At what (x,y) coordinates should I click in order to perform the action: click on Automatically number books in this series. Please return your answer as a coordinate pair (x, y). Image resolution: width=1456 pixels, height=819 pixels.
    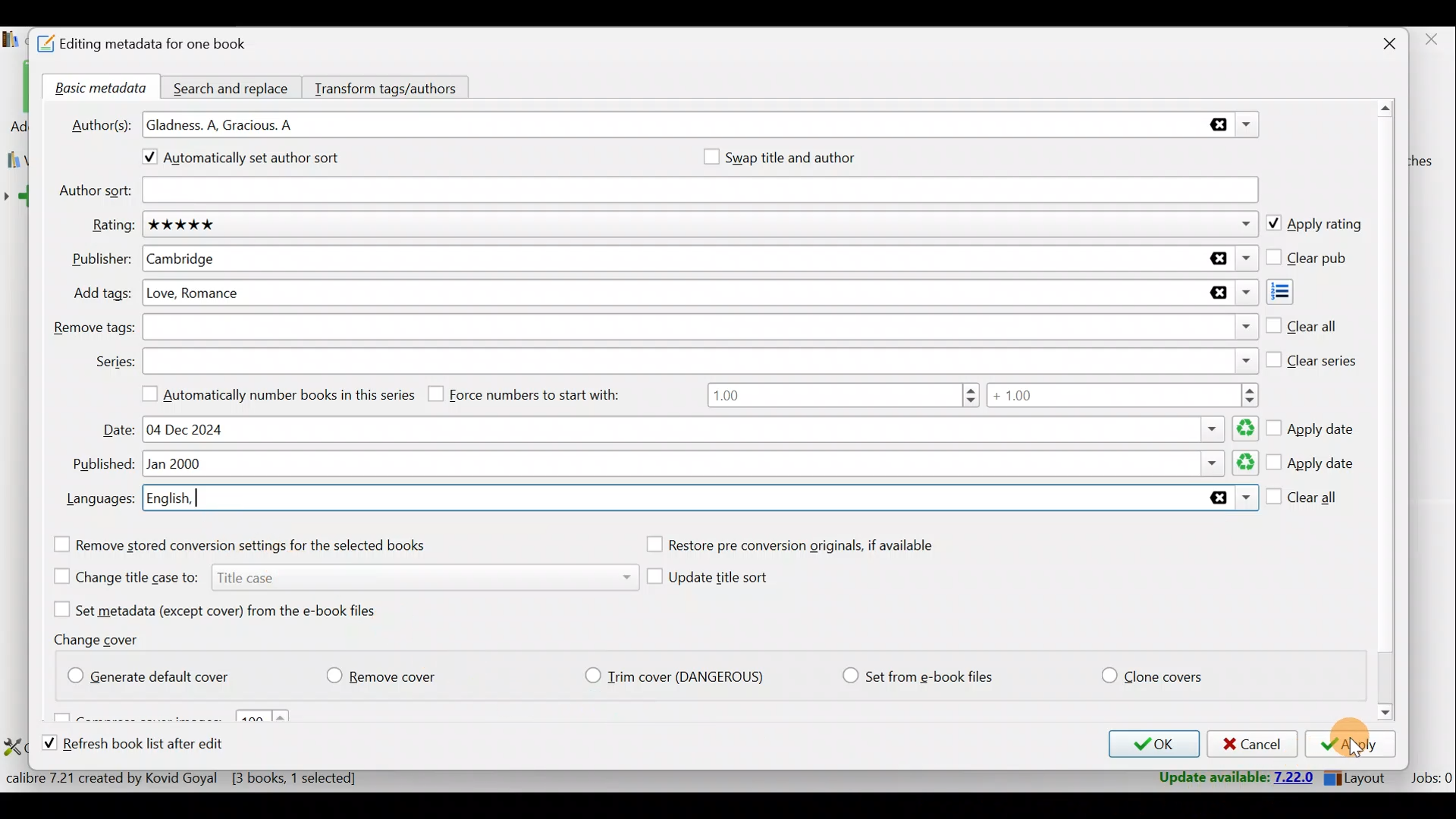
    Looking at the image, I should click on (272, 393).